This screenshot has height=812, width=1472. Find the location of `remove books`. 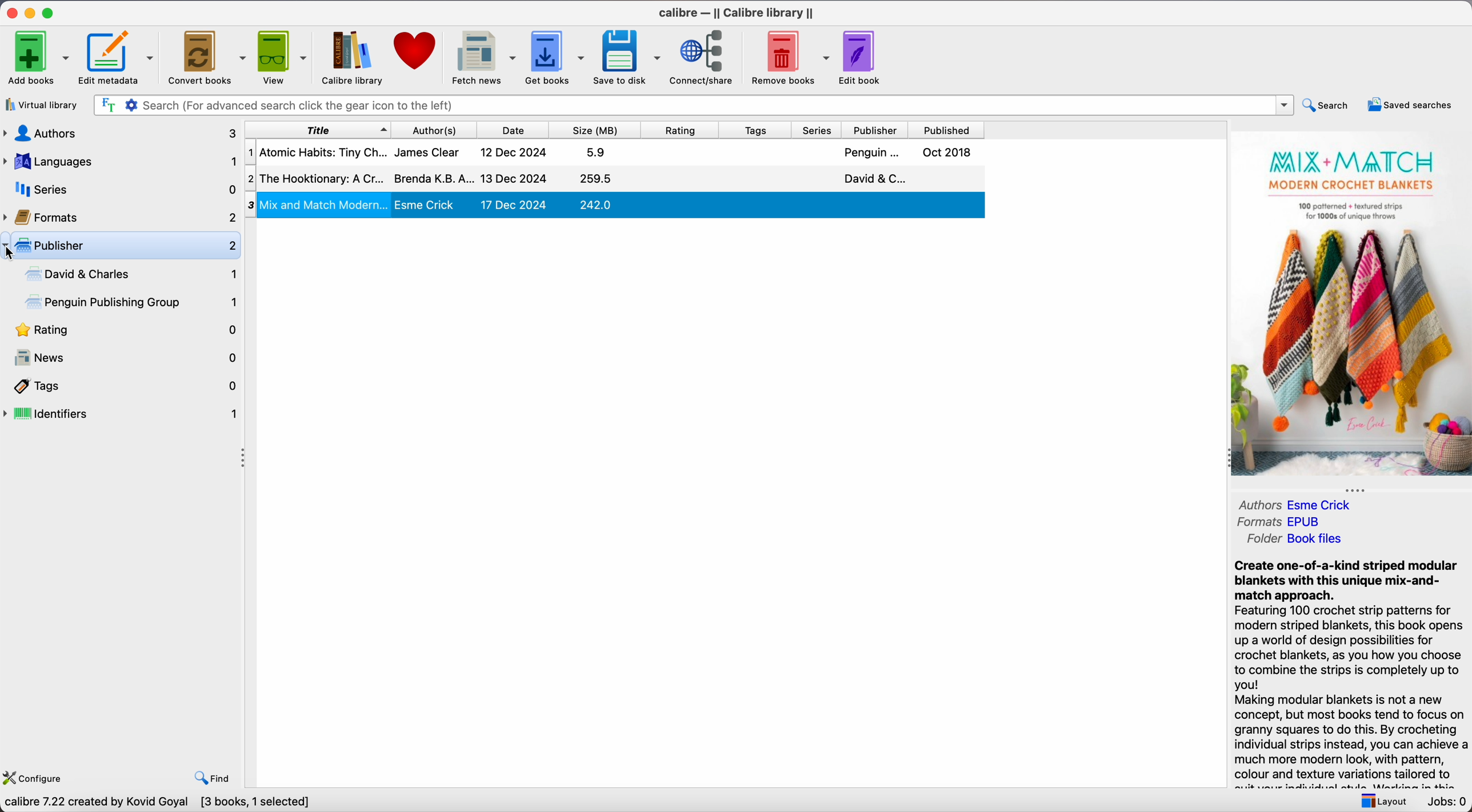

remove books is located at coordinates (789, 59).